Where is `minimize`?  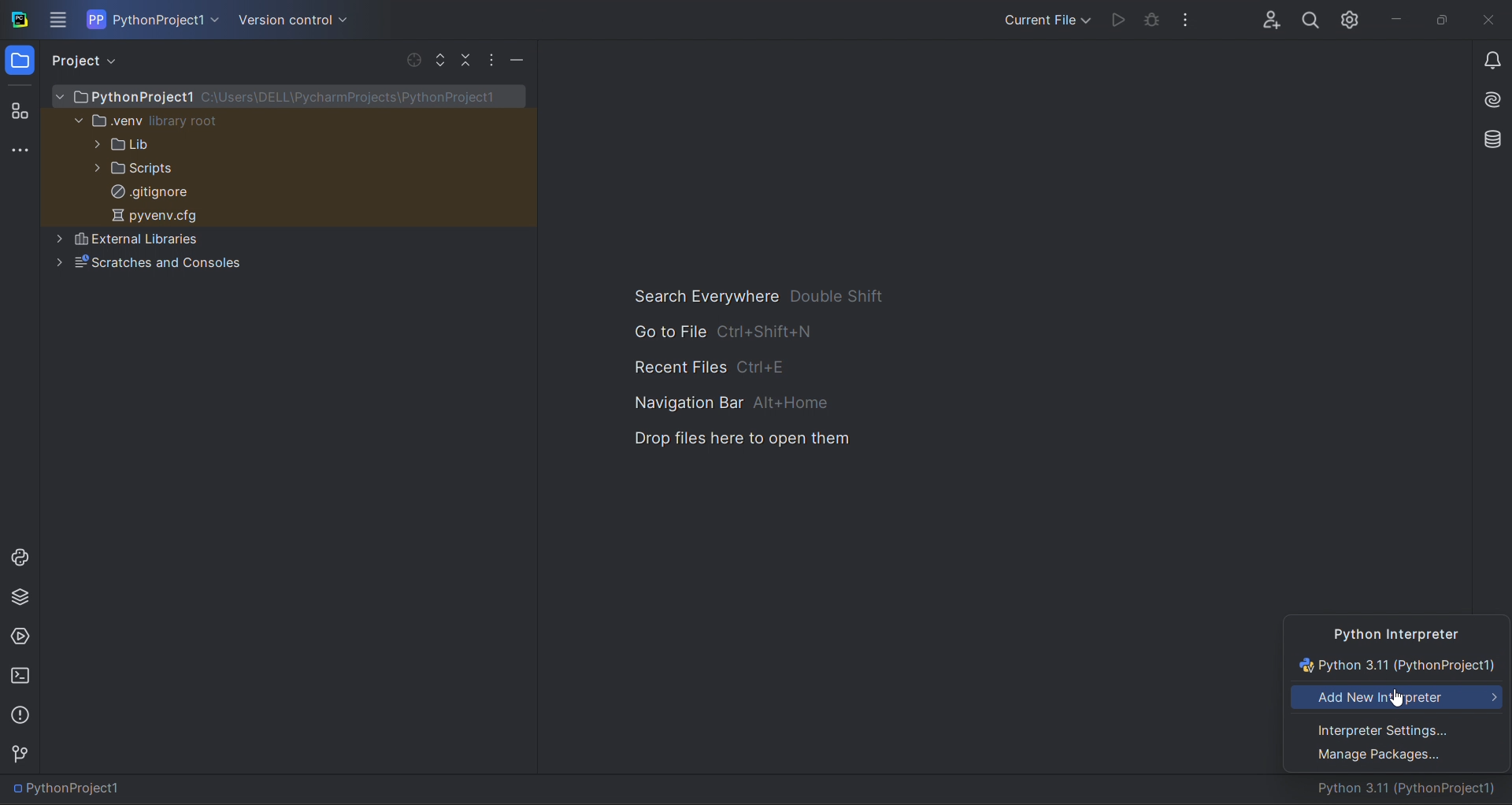
minimize is located at coordinates (516, 61).